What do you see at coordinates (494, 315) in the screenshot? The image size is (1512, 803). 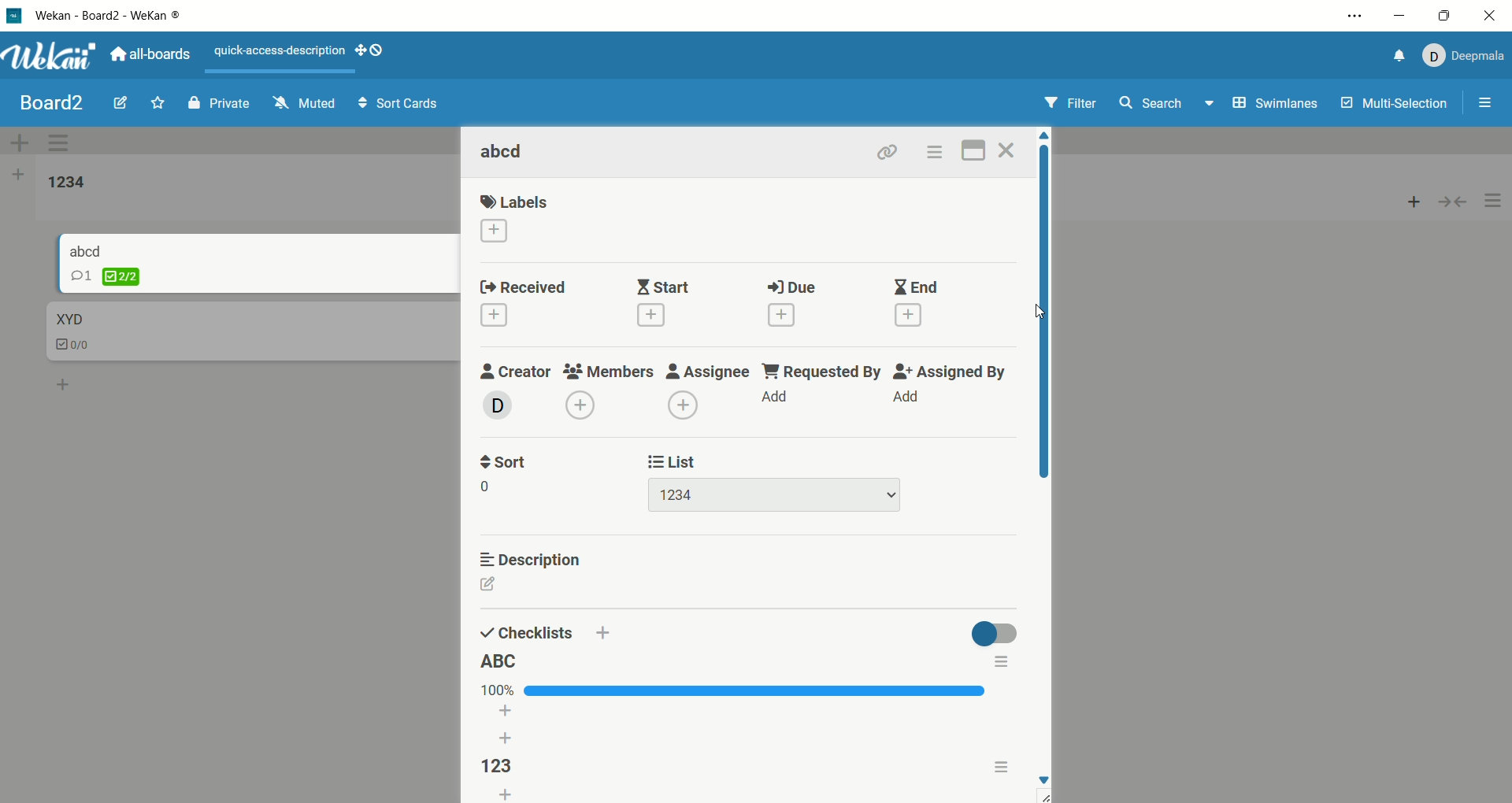 I see `add` at bounding box center [494, 315].